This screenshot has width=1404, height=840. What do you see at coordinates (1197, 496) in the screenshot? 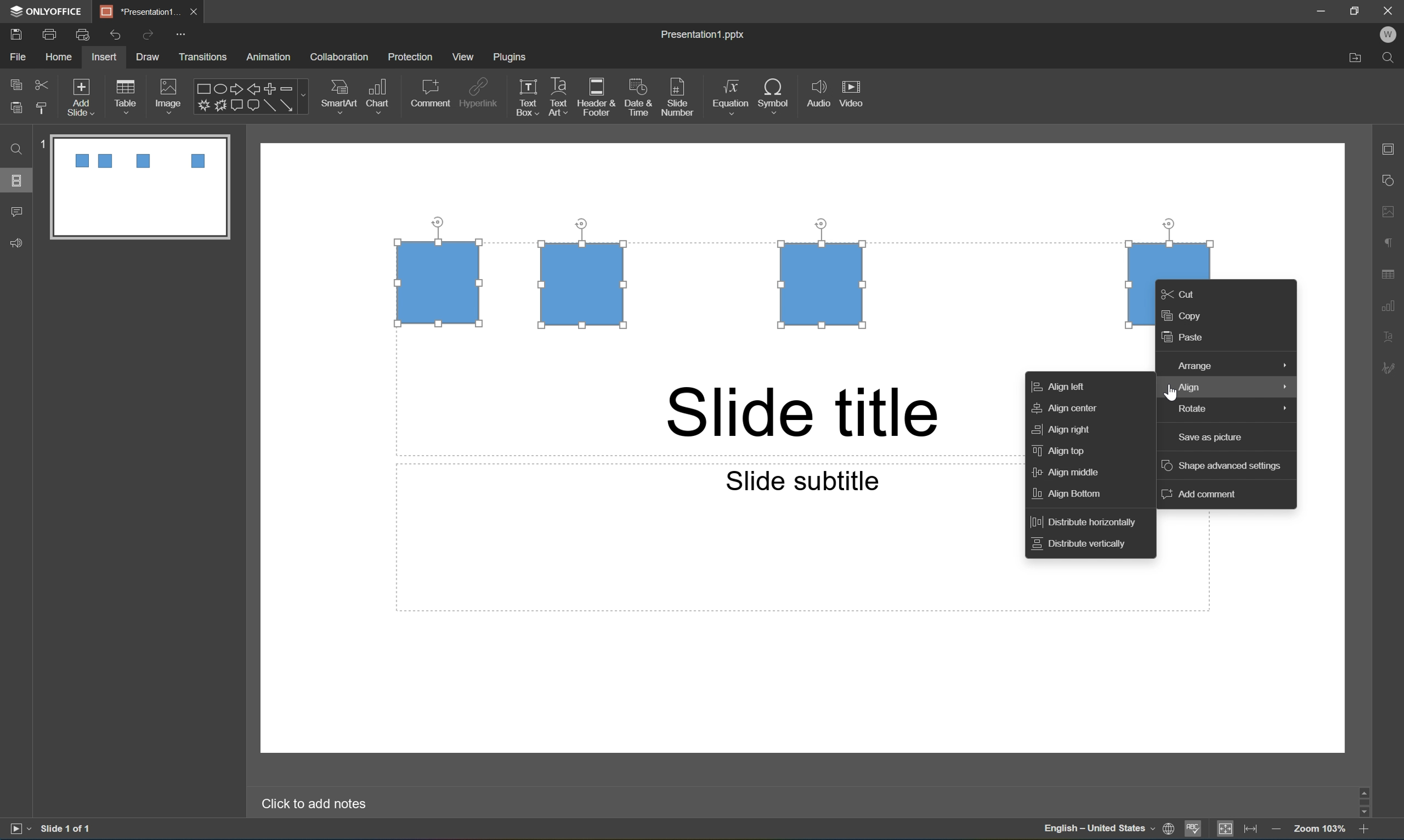
I see `add comment` at bounding box center [1197, 496].